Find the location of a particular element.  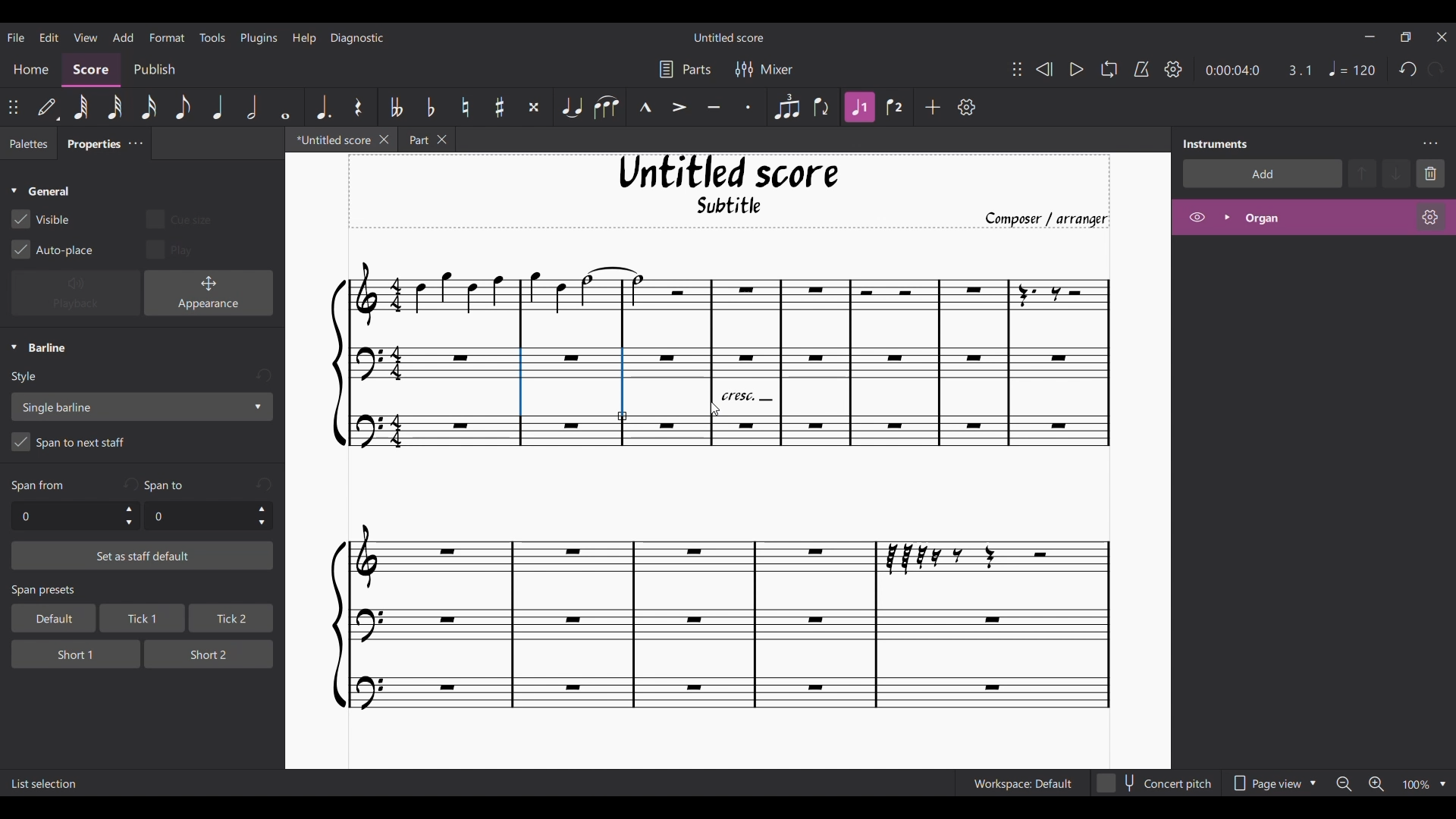

Current tab highlighted is located at coordinates (328, 142).